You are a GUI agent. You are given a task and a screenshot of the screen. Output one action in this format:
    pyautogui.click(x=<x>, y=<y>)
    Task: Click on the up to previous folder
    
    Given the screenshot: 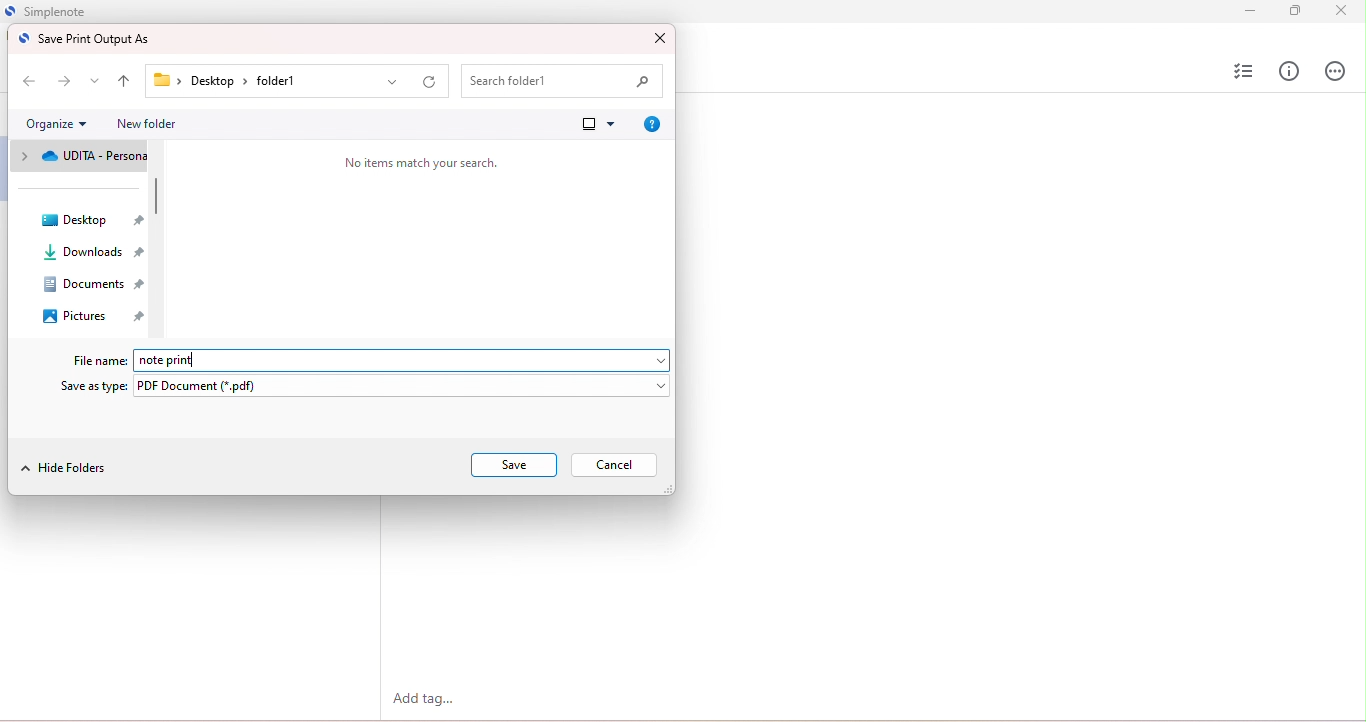 What is the action you would take?
    pyautogui.click(x=125, y=83)
    